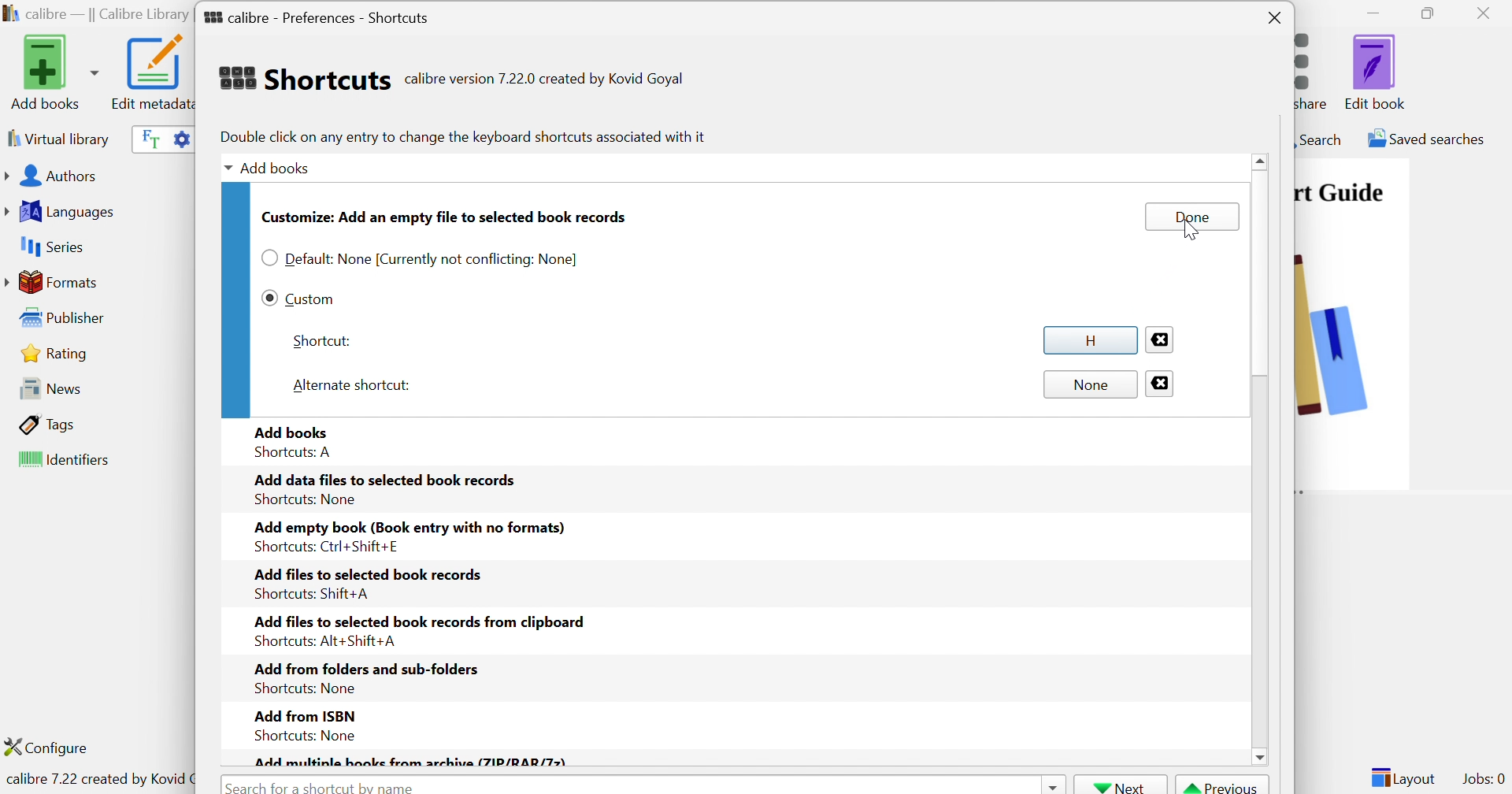  What do you see at coordinates (544, 80) in the screenshot?
I see `calibre version 7.22.0 created by Kovid Goyal` at bounding box center [544, 80].